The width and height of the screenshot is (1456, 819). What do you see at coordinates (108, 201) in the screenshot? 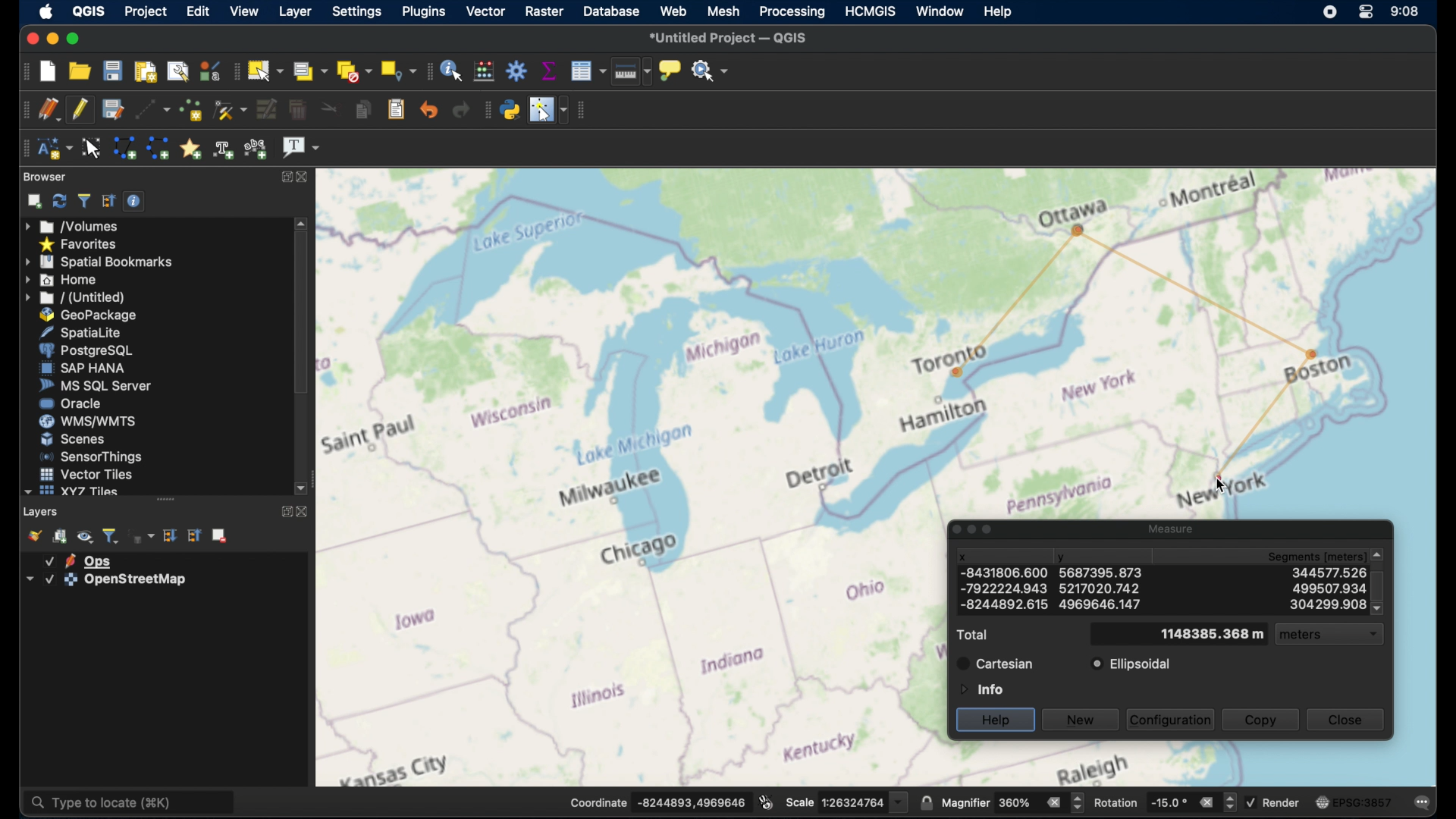
I see `collapse all` at bounding box center [108, 201].